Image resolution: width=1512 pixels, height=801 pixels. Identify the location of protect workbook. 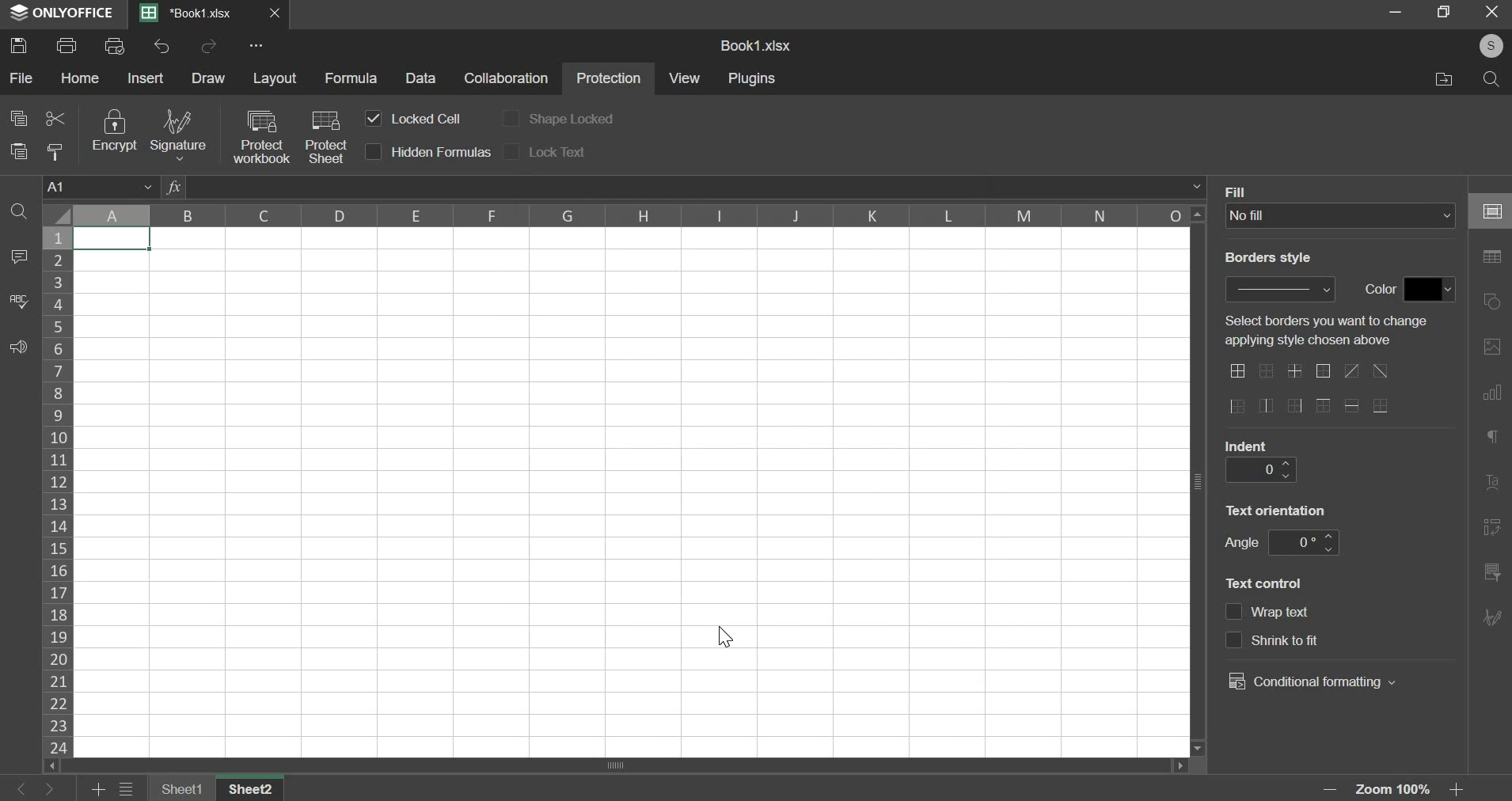
(260, 136).